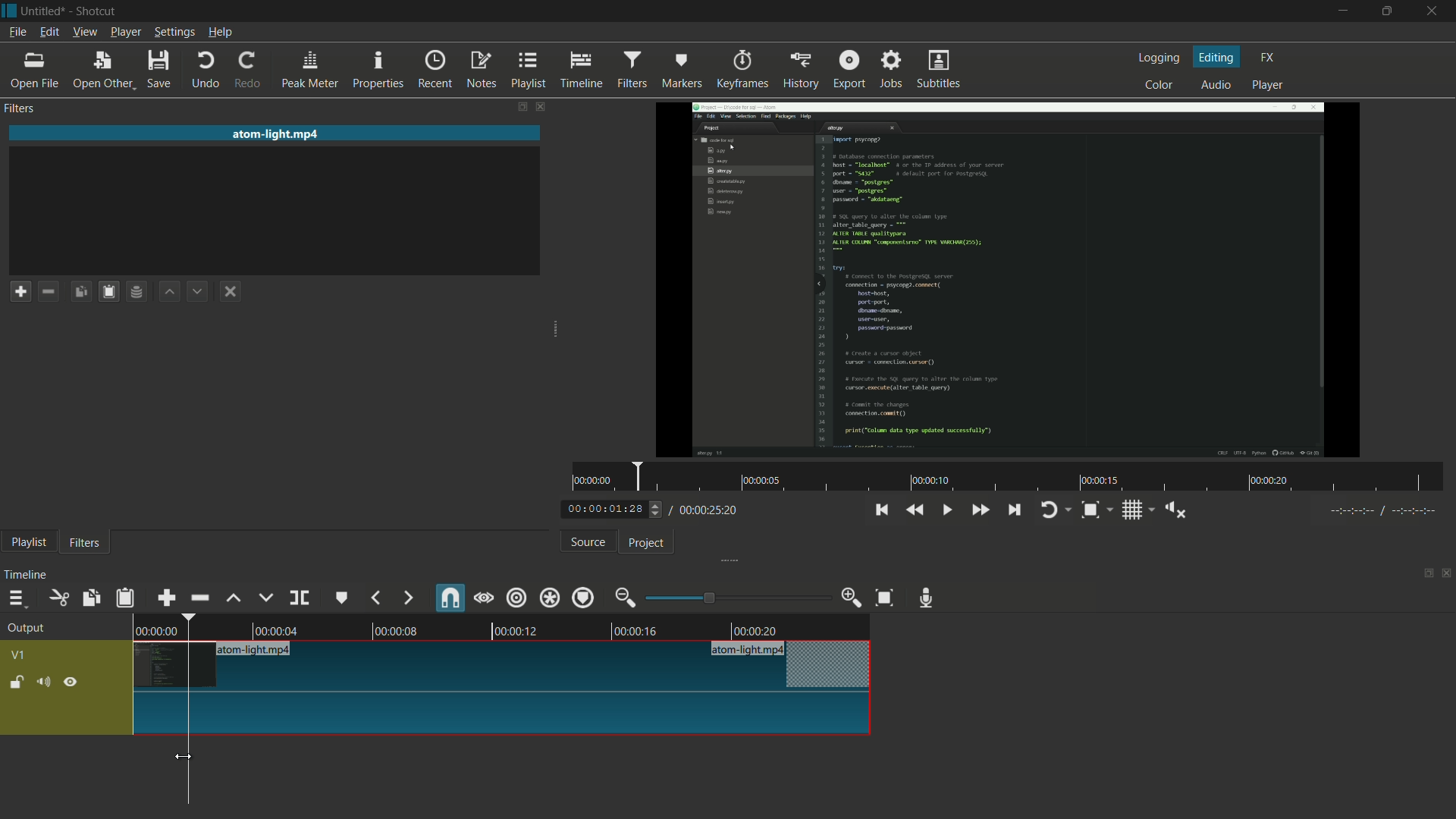  I want to click on audio, so click(1217, 84).